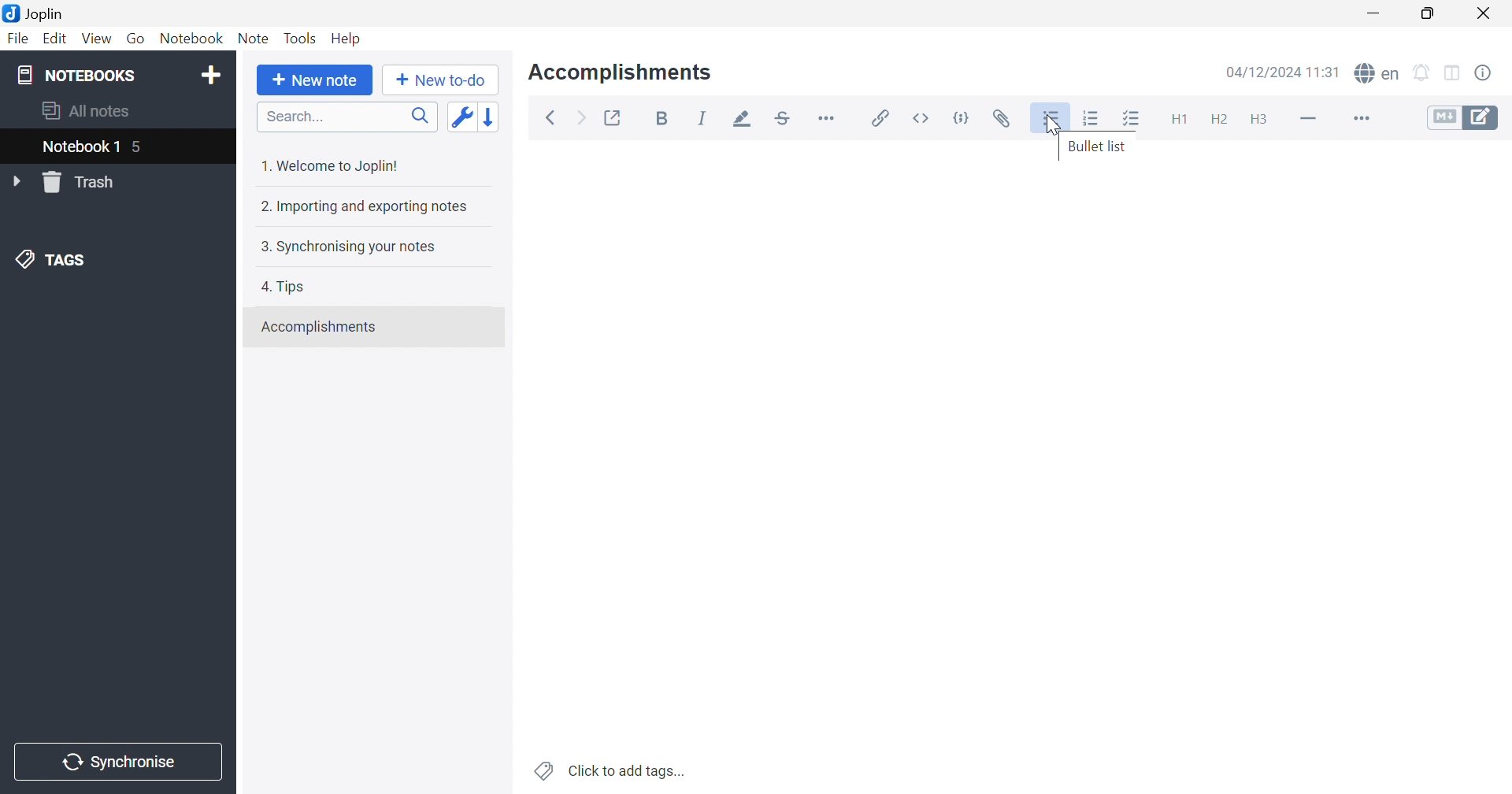 The width and height of the screenshot is (1512, 794). Describe the element at coordinates (347, 117) in the screenshot. I see `Search` at that location.